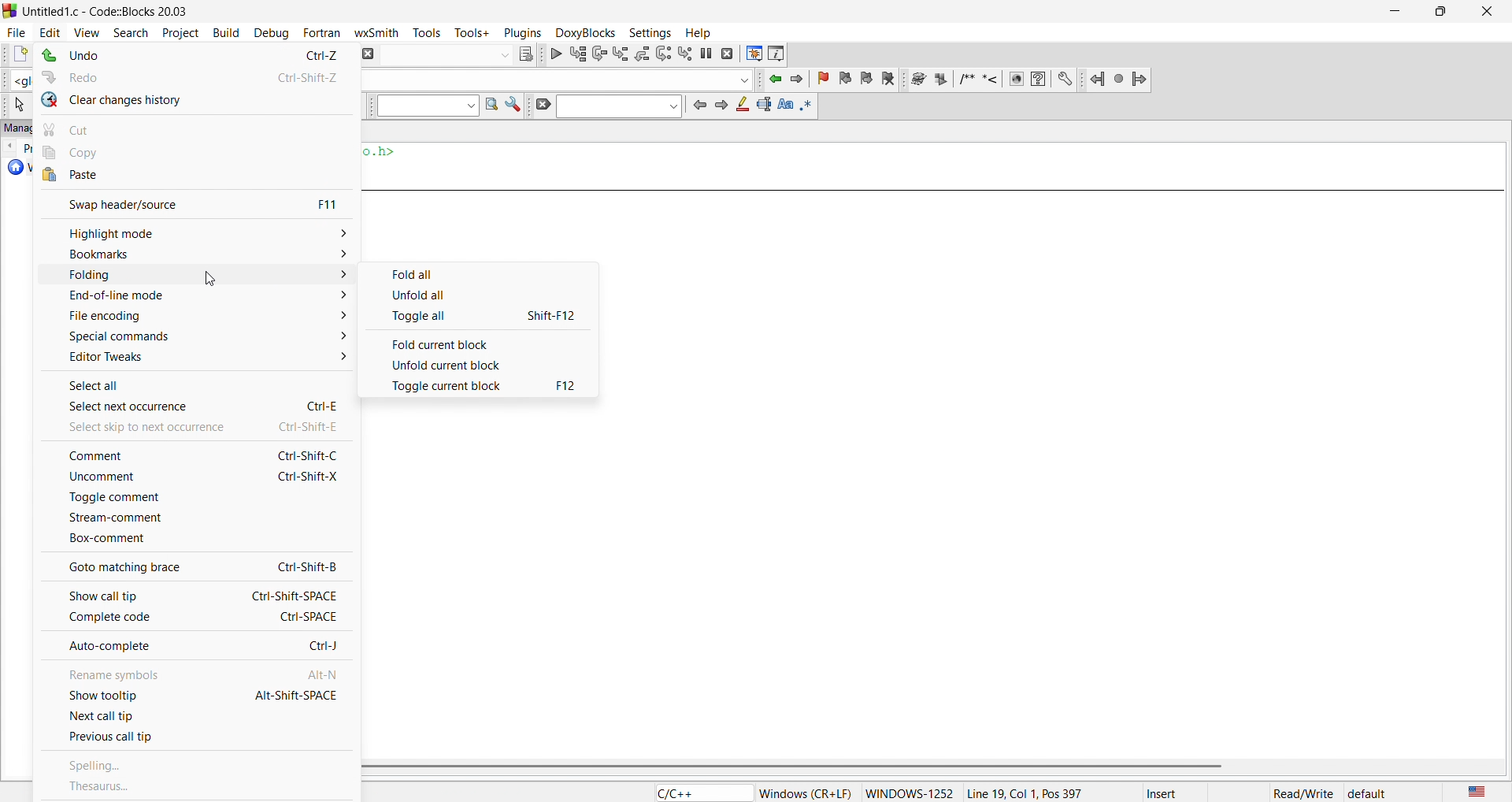 The width and height of the screenshot is (1512, 802). I want to click on setting, so click(647, 32).